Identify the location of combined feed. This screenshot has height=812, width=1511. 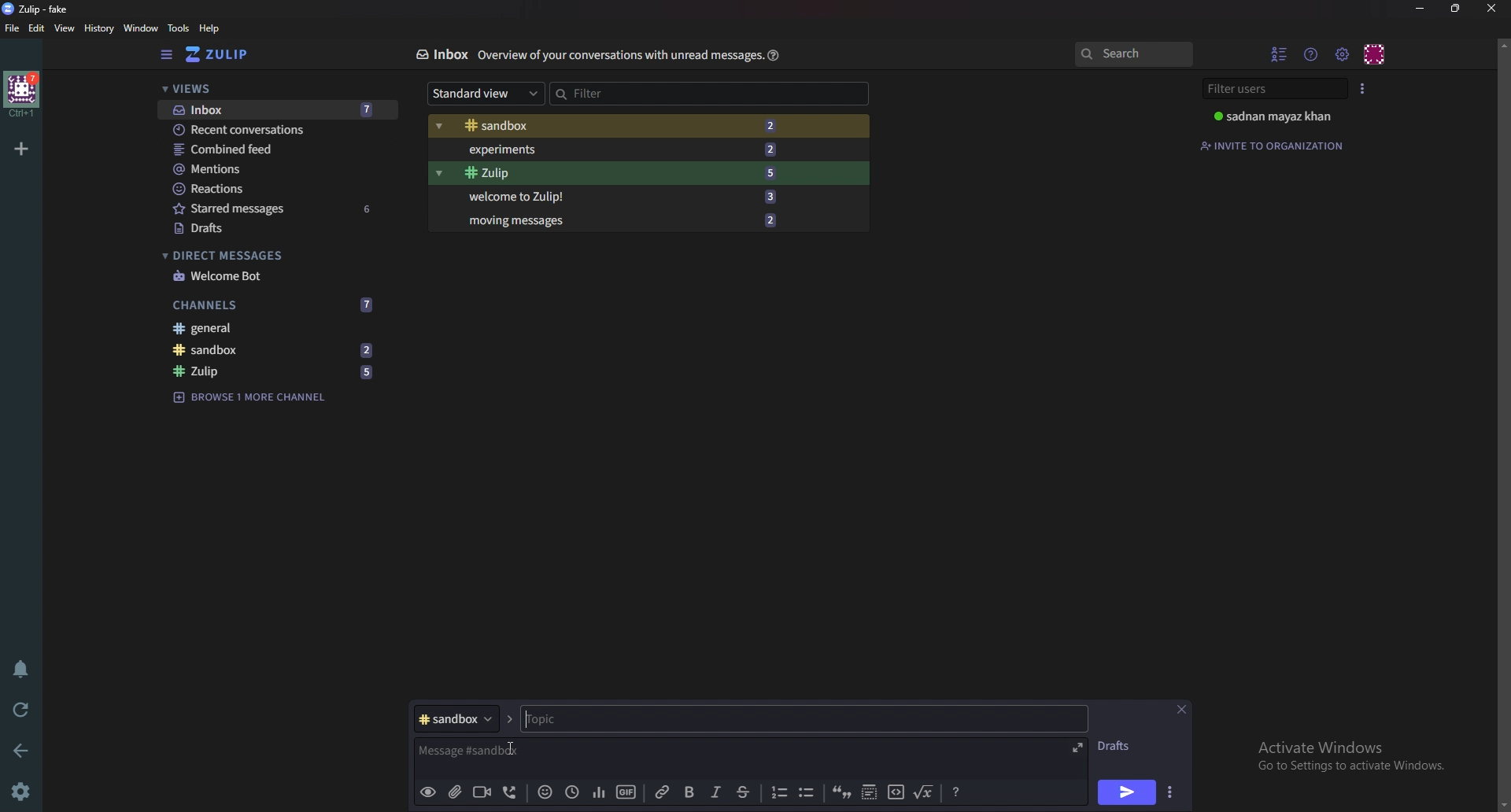
(277, 149).